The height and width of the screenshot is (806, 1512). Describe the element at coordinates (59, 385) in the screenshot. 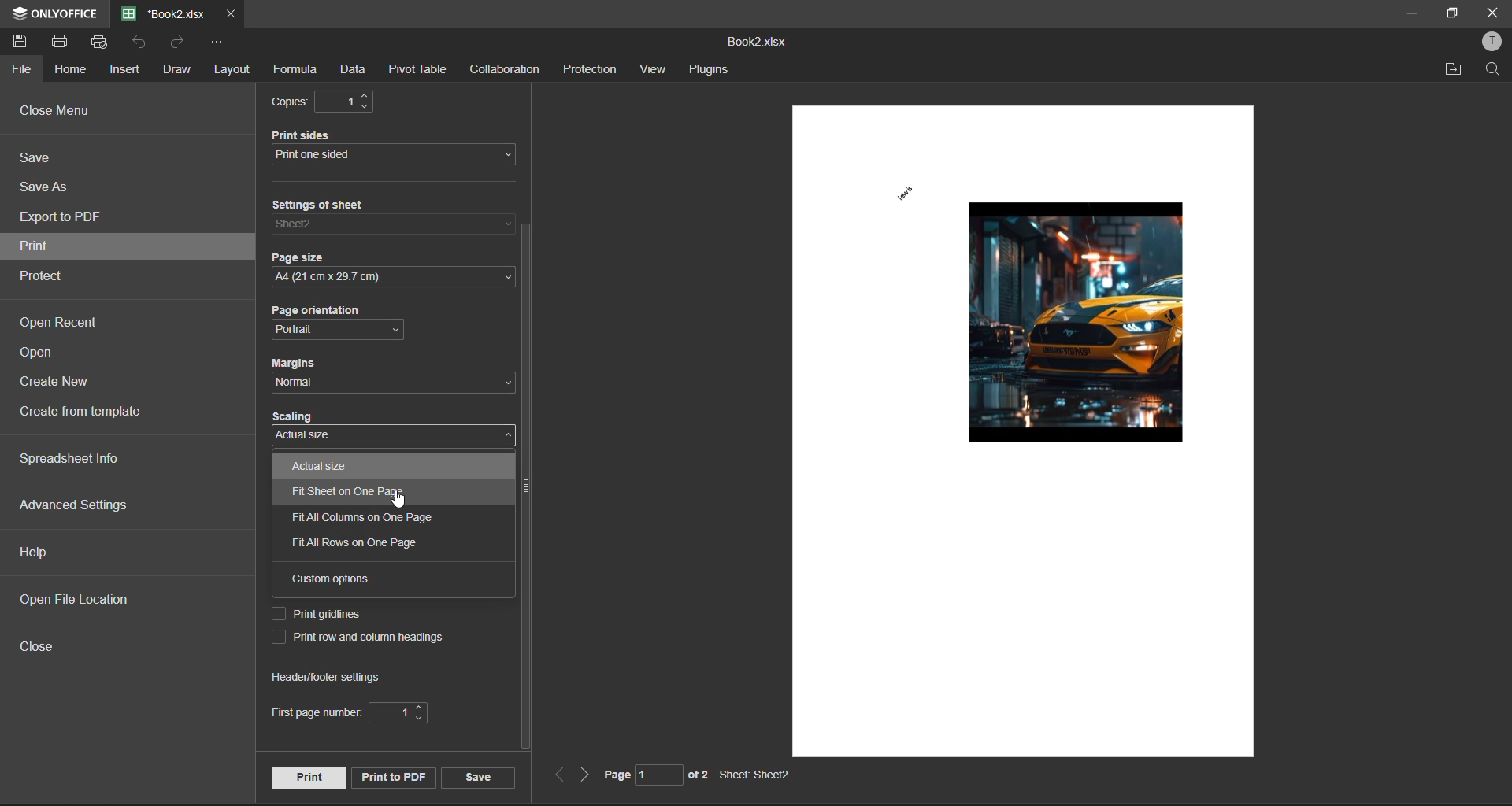

I see `create new` at that location.